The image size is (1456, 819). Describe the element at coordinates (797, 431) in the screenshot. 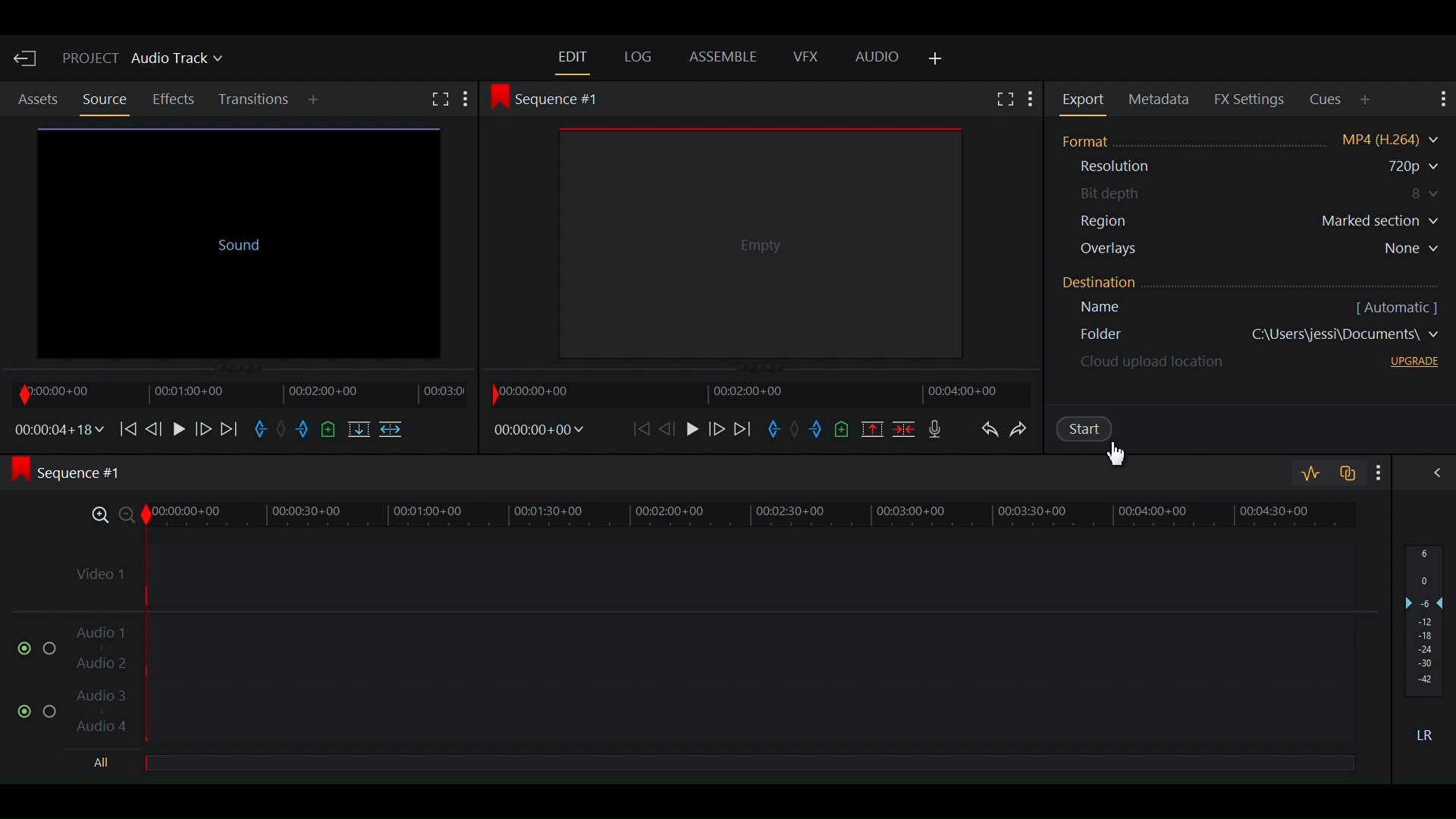

I see `Clear marks` at that location.